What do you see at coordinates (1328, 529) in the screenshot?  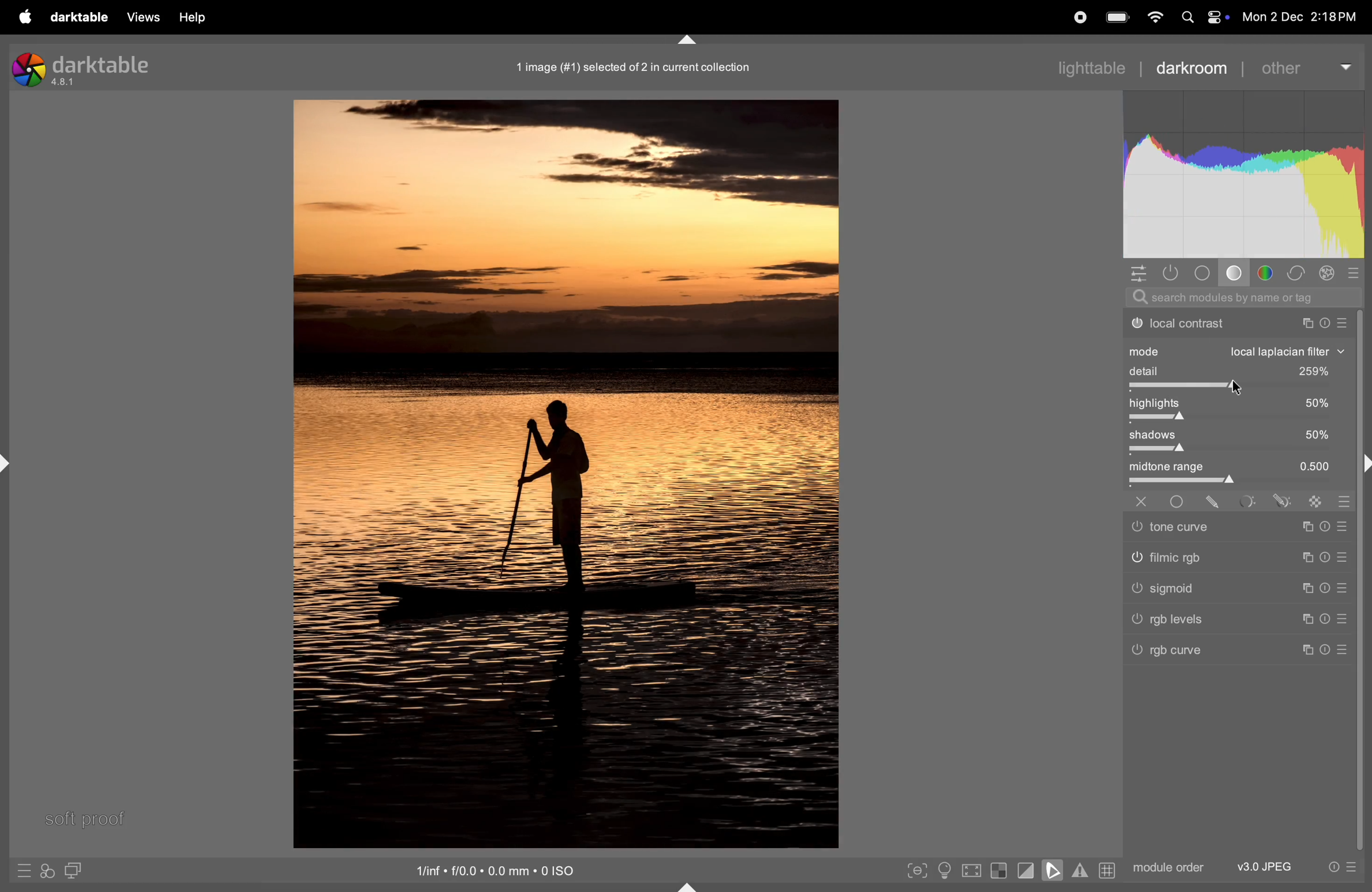 I see `sign ` at bounding box center [1328, 529].